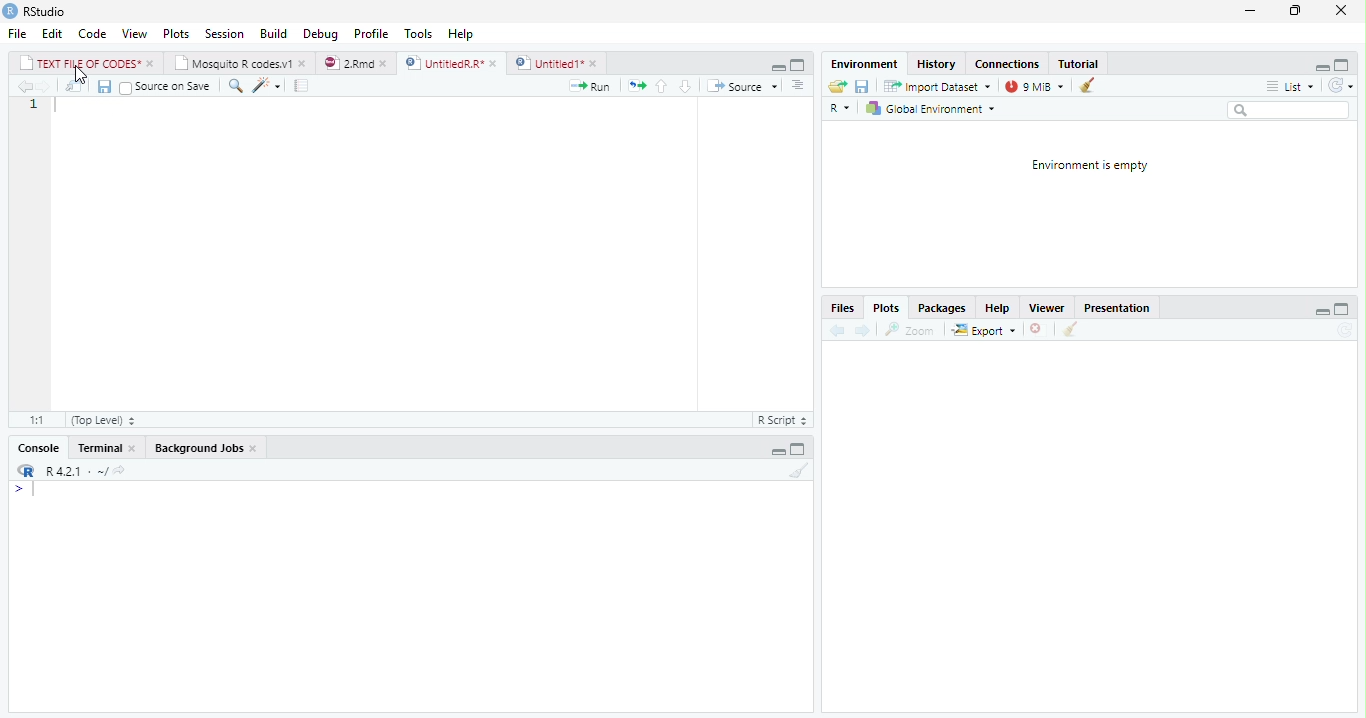 The width and height of the screenshot is (1366, 718). I want to click on Session, so click(226, 36).